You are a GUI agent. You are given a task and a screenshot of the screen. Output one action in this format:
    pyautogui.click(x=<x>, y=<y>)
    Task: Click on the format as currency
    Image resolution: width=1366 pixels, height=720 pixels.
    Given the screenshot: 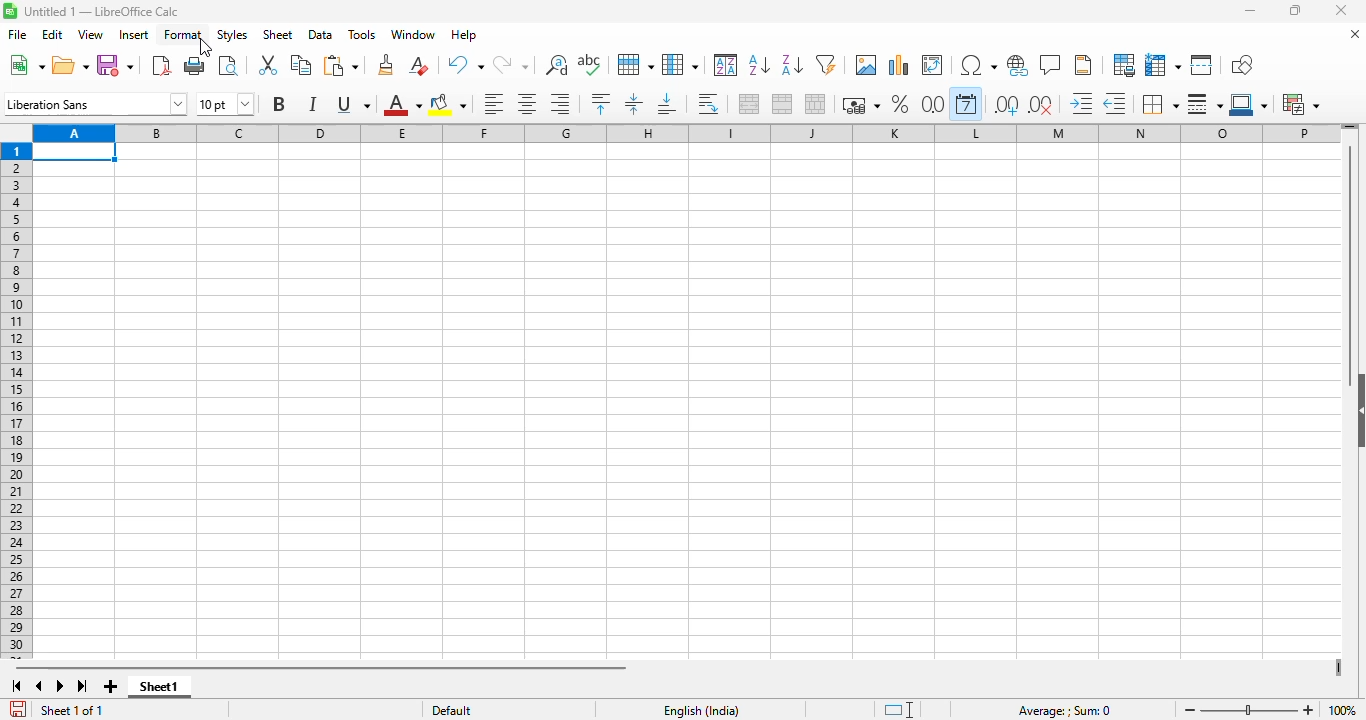 What is the action you would take?
    pyautogui.click(x=860, y=105)
    